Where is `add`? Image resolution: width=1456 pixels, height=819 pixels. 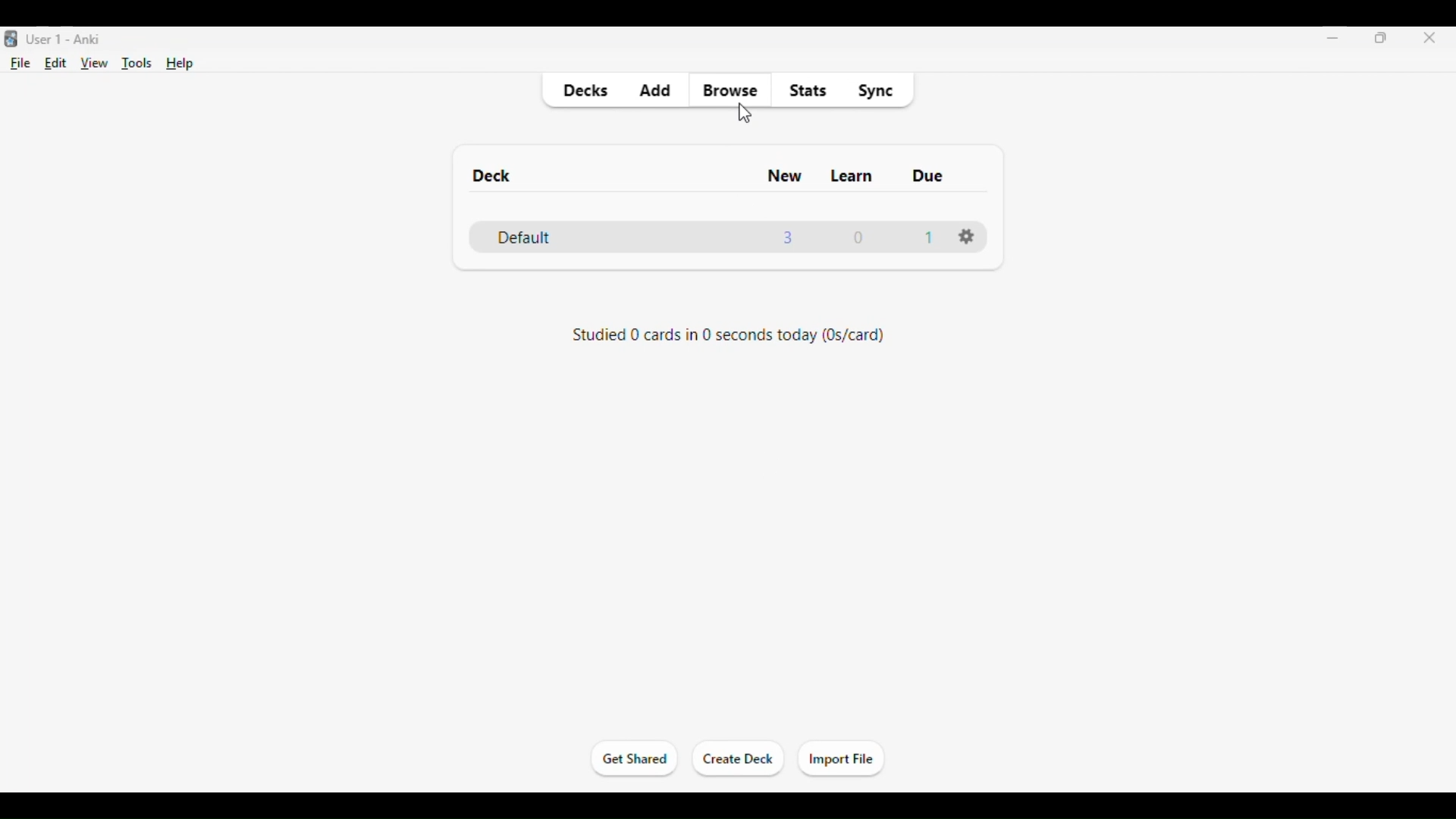
add is located at coordinates (654, 91).